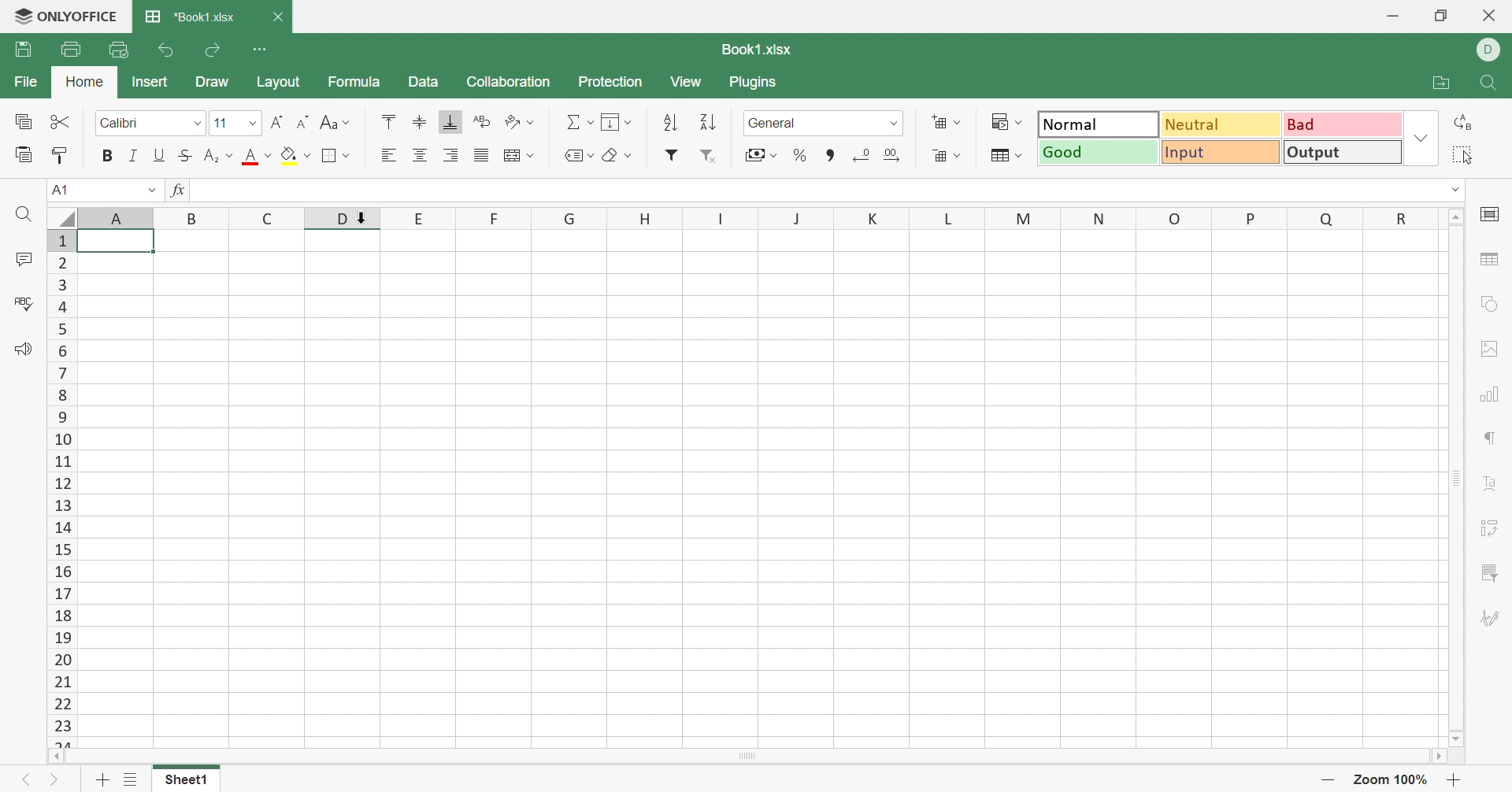  I want to click on Drop Down, so click(533, 124).